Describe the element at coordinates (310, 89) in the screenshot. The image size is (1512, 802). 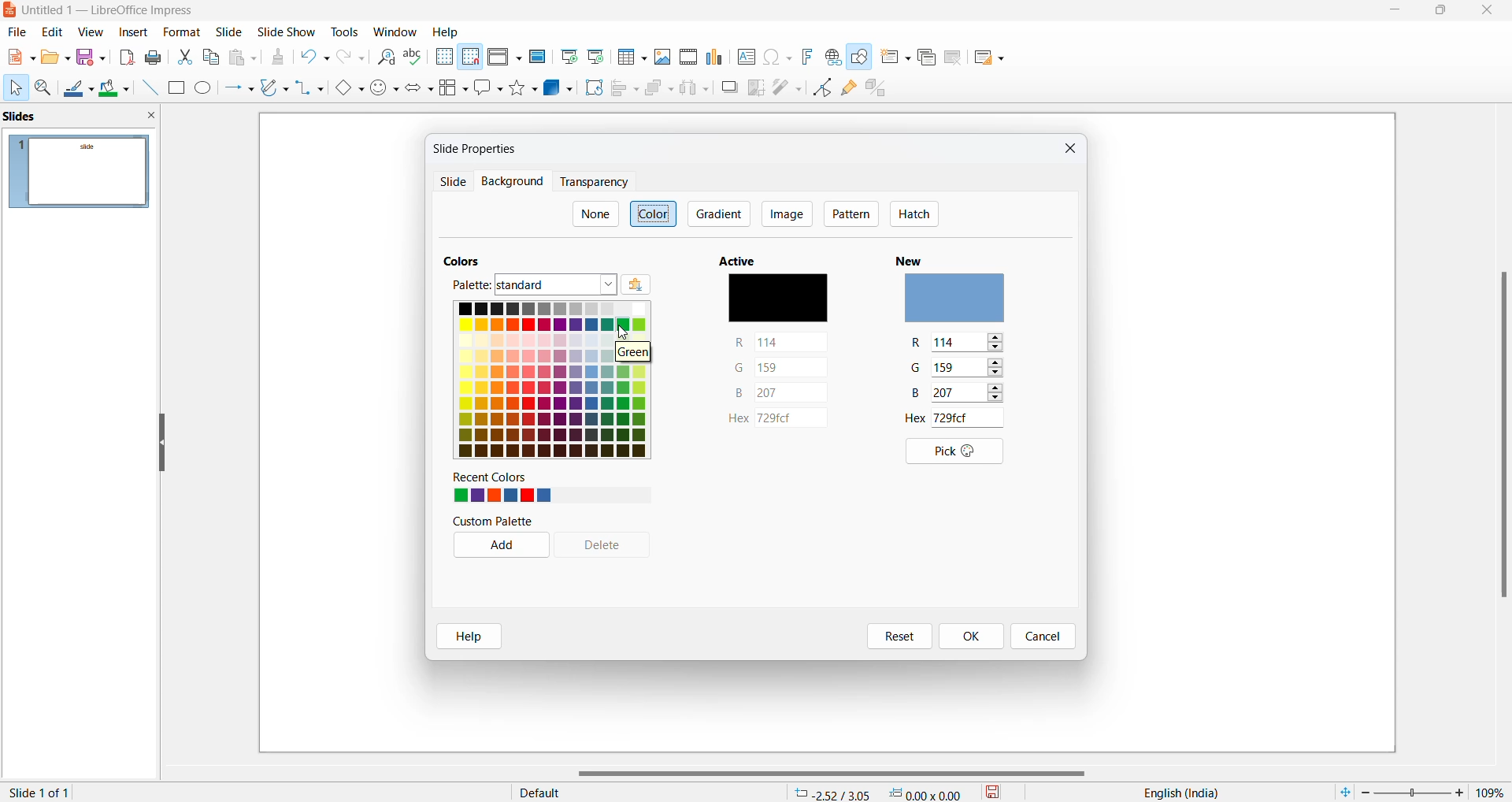
I see `connectors` at that location.